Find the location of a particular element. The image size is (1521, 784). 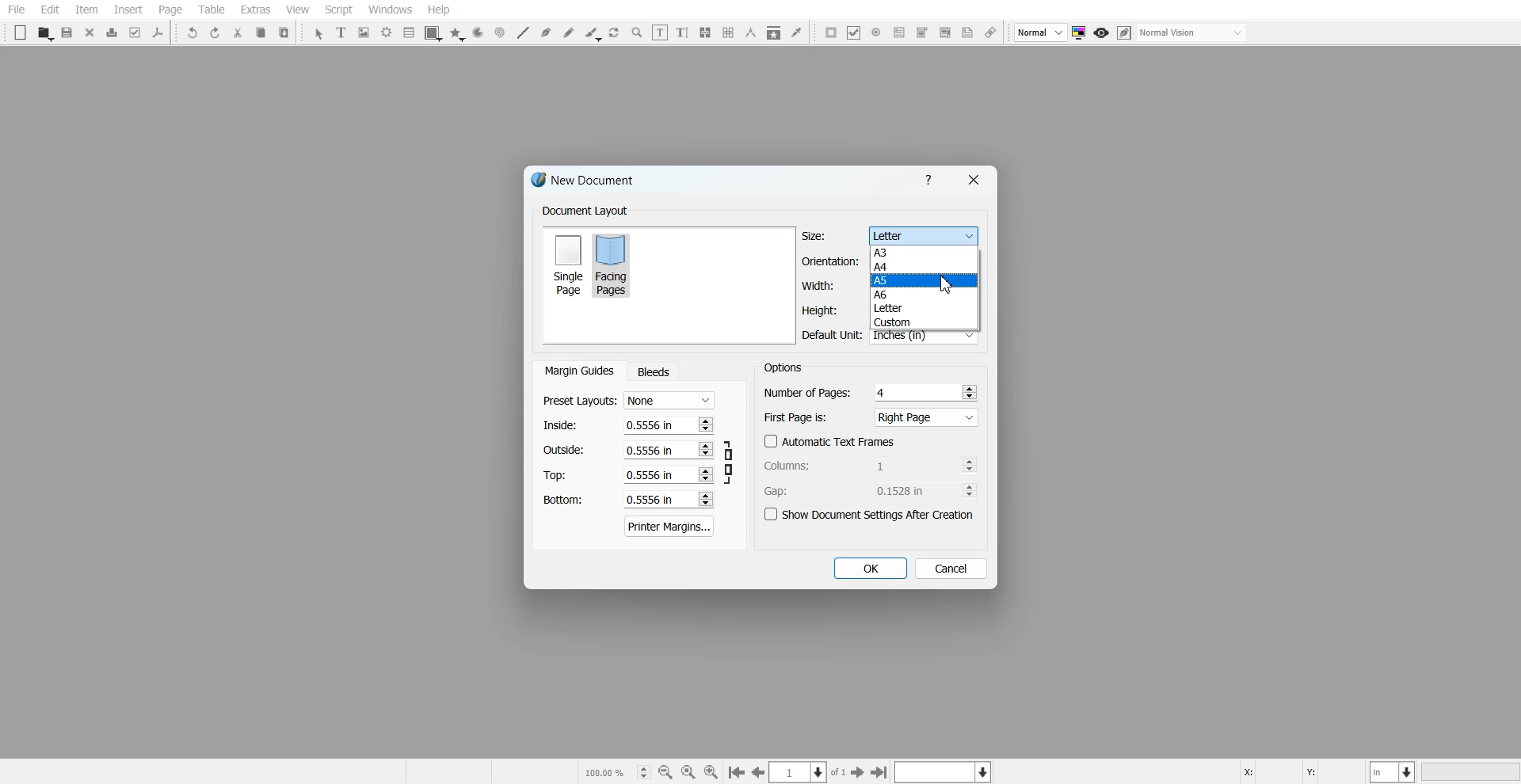

Close is located at coordinates (90, 32).